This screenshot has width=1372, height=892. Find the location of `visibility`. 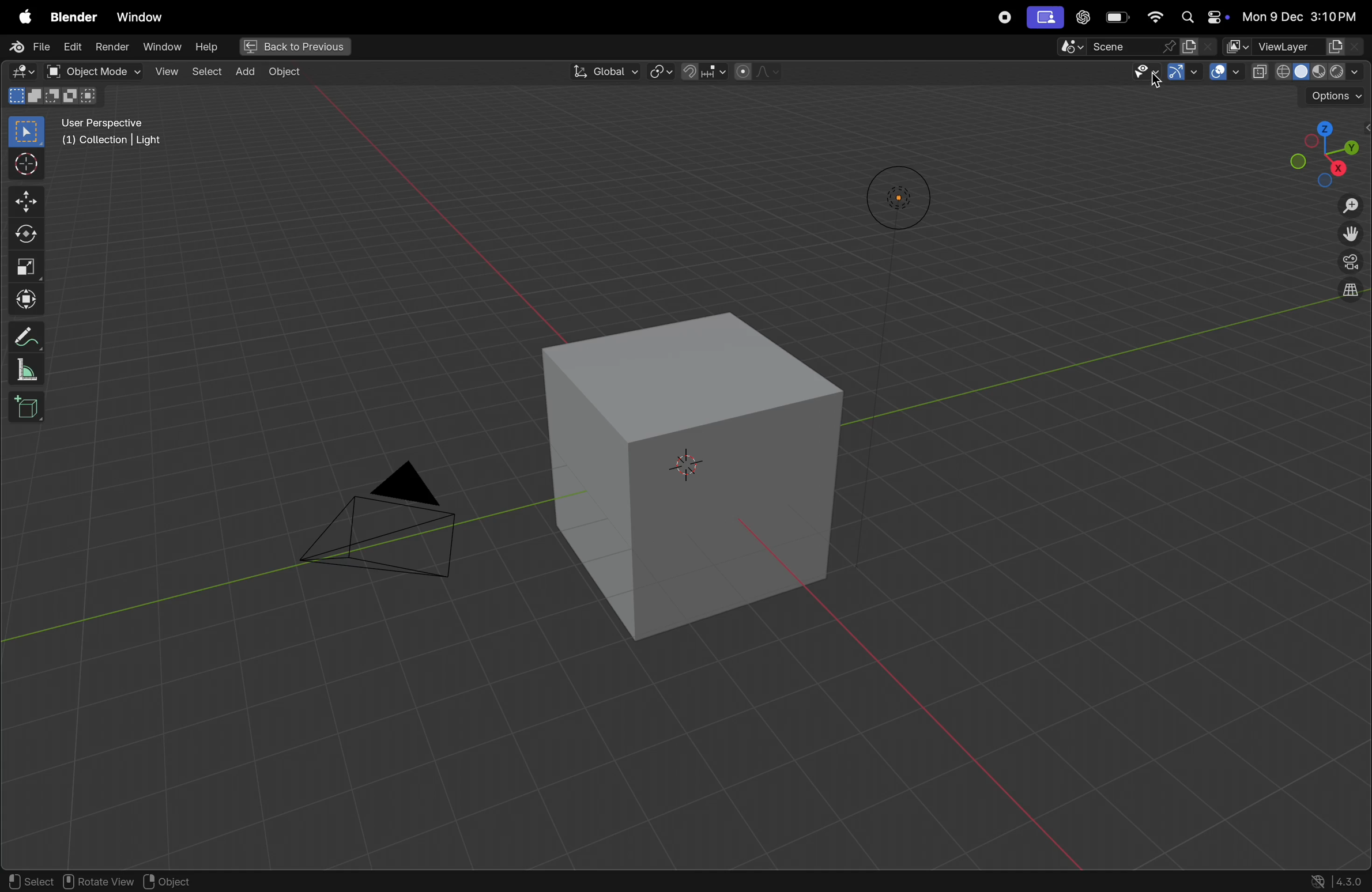

visibility is located at coordinates (1132, 71).